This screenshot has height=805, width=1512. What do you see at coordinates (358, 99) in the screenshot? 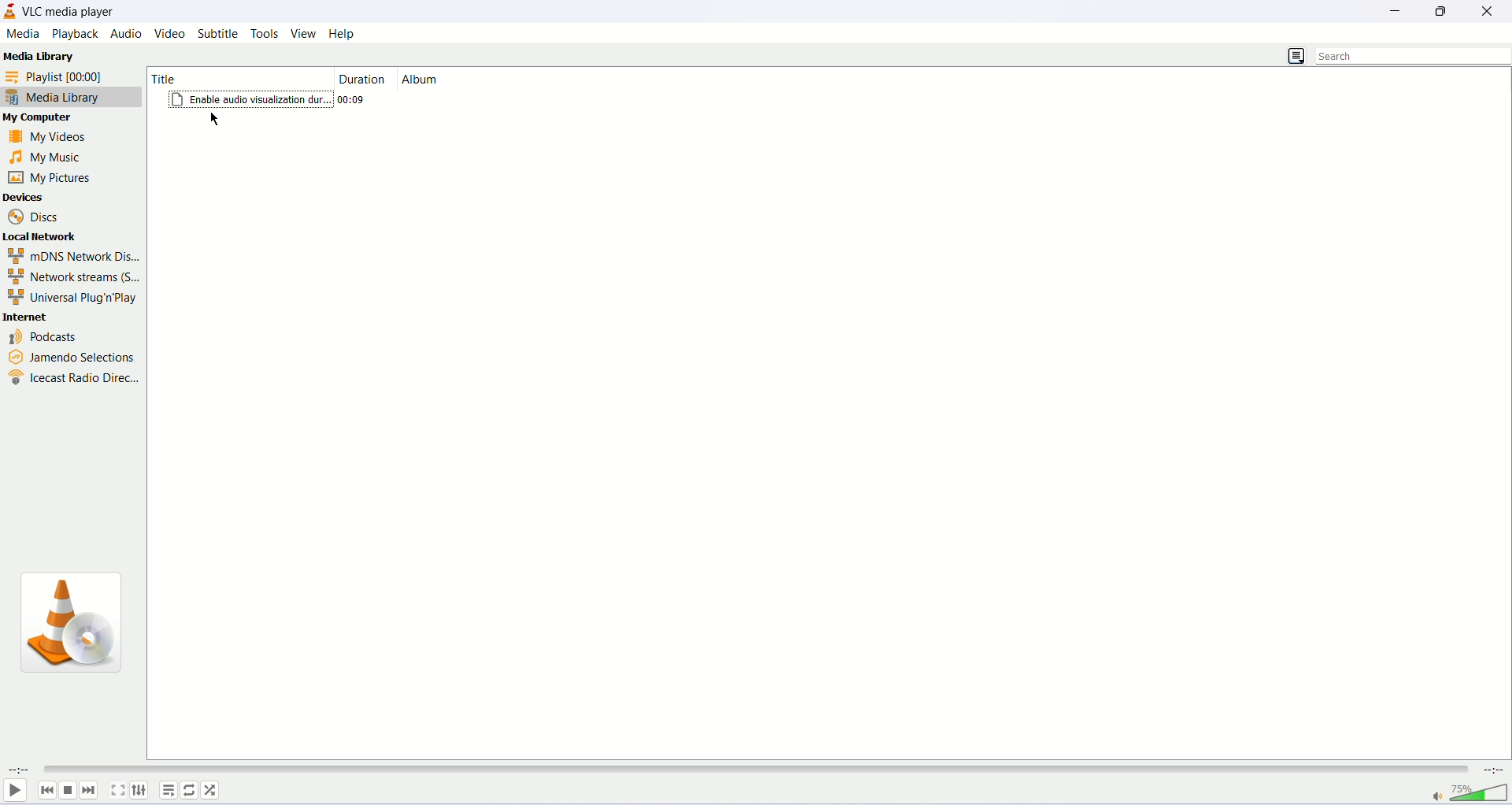
I see `00:09` at bounding box center [358, 99].